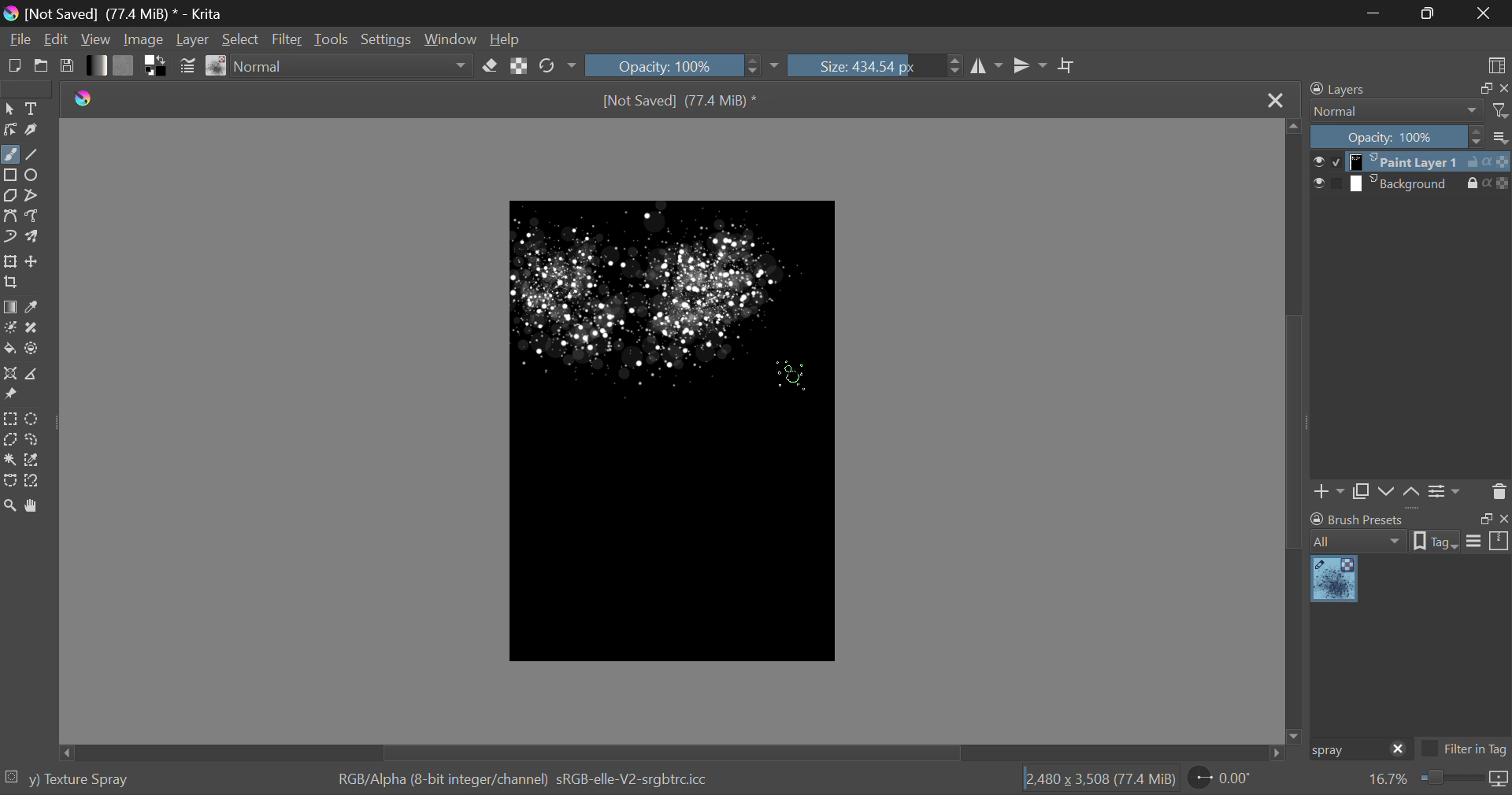 The height and width of the screenshot is (795, 1512). What do you see at coordinates (33, 439) in the screenshot?
I see `Freehand Selection` at bounding box center [33, 439].